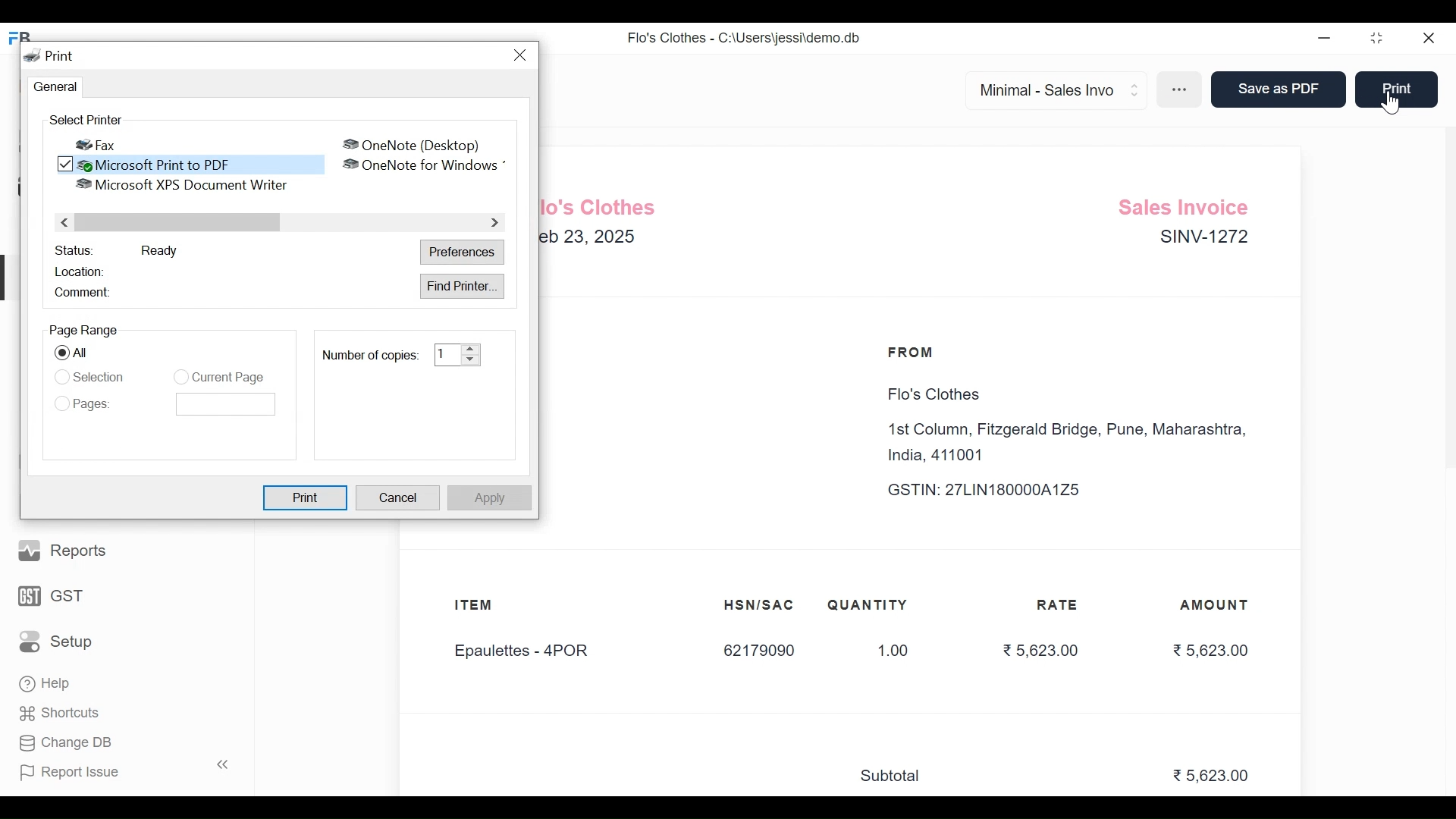  Describe the element at coordinates (1395, 88) in the screenshot. I see `Print` at that location.